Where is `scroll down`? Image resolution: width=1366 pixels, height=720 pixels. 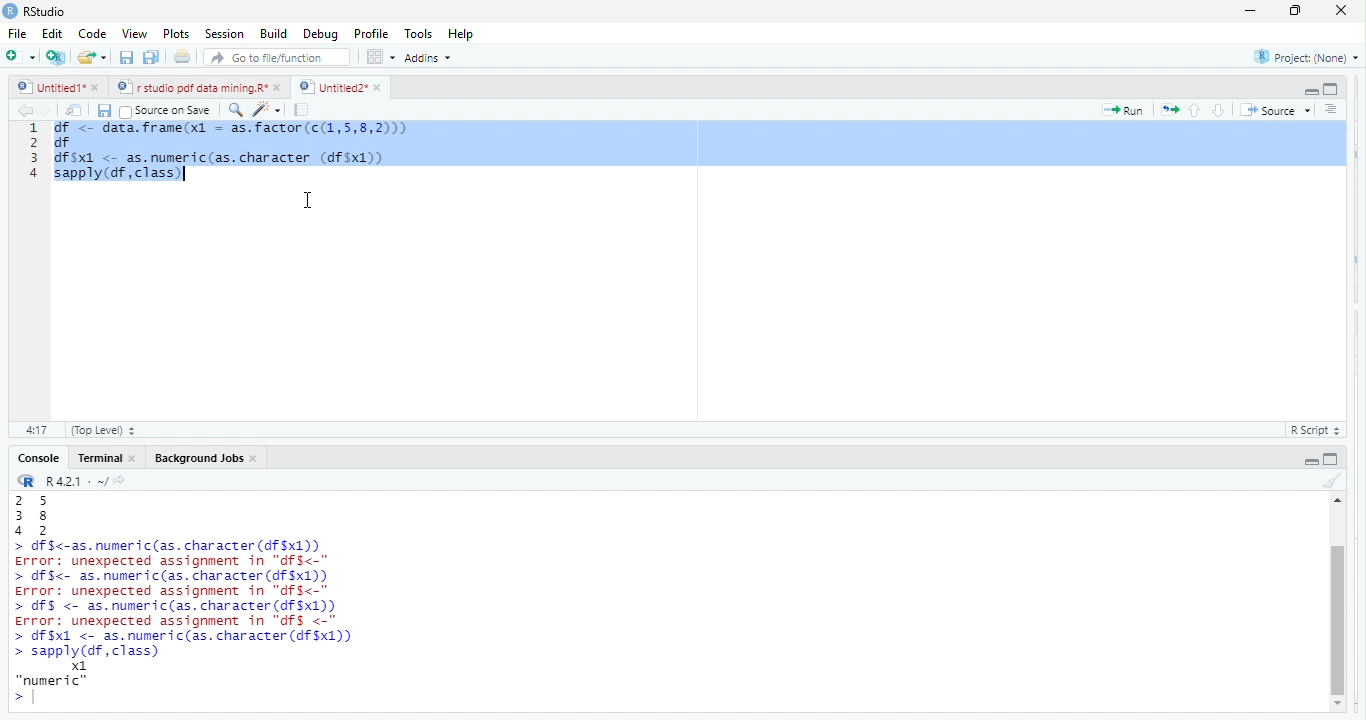 scroll down is located at coordinates (1341, 703).